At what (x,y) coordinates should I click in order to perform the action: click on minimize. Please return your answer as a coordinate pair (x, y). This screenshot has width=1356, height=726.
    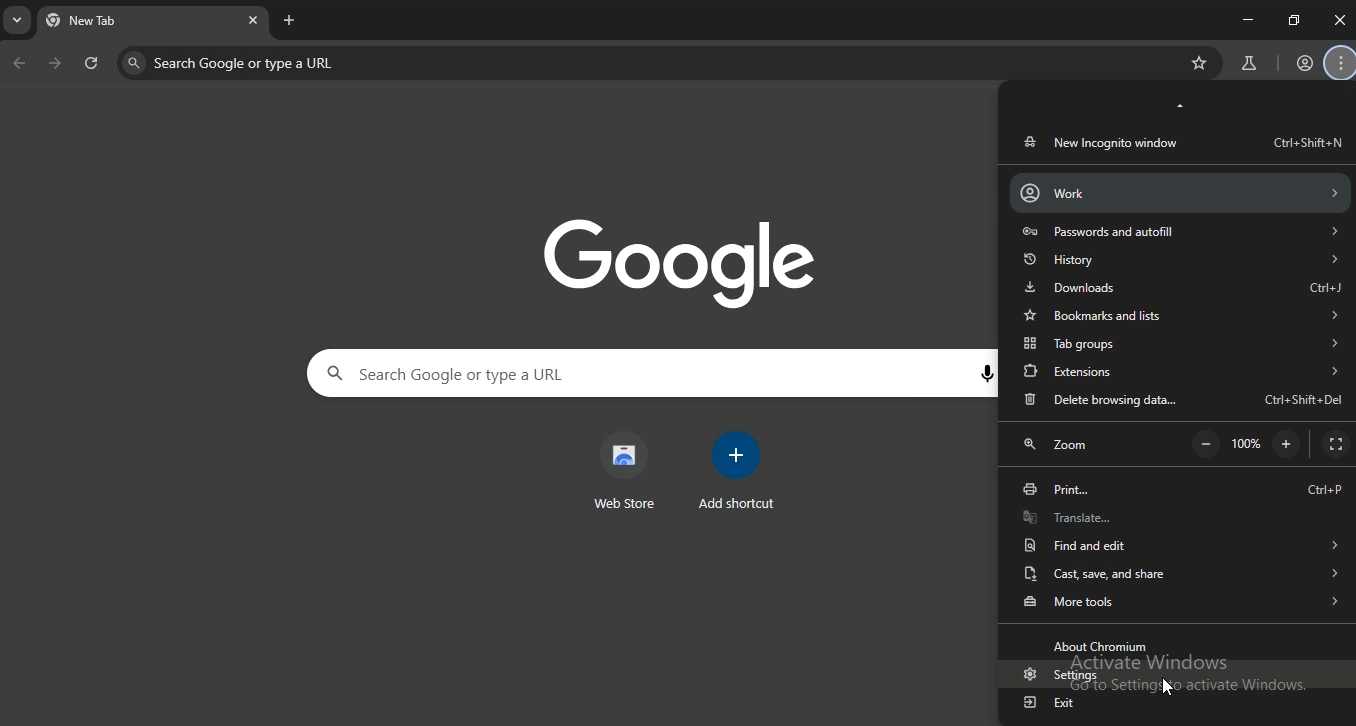
    Looking at the image, I should click on (1244, 18).